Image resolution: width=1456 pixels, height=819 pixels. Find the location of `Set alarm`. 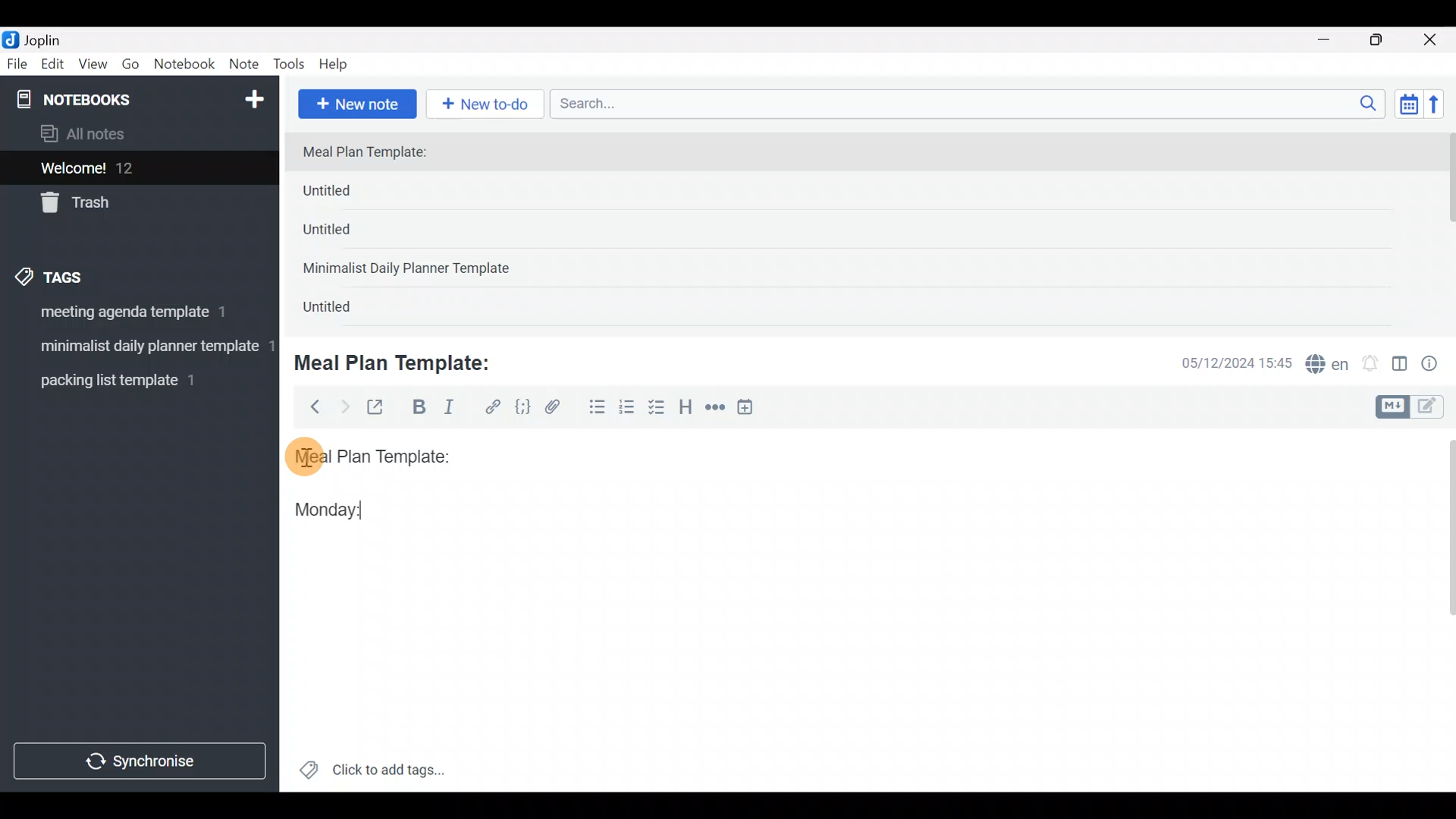

Set alarm is located at coordinates (1371, 365).